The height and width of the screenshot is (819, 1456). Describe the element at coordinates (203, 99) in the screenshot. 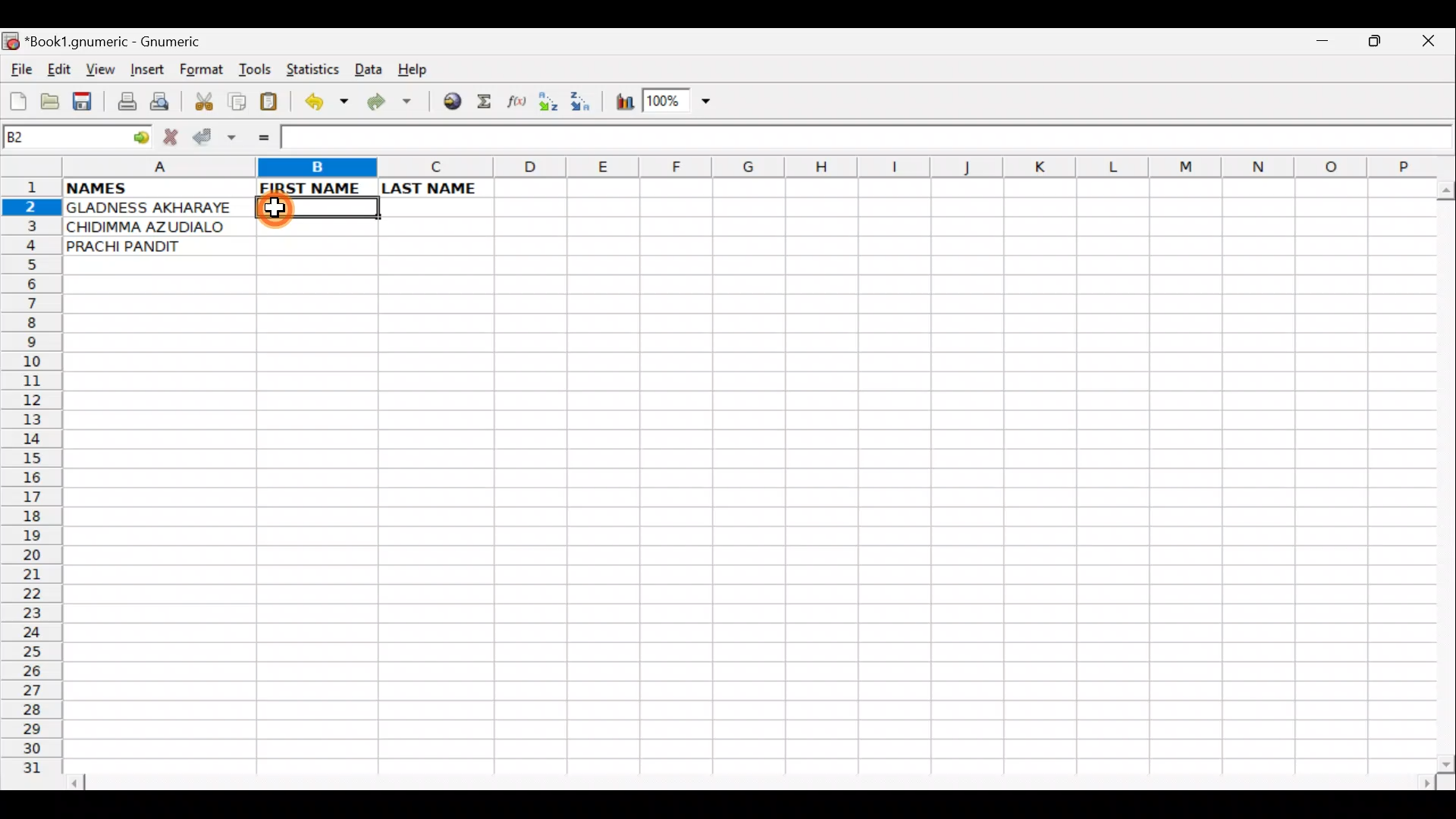

I see `Cut selection` at that location.